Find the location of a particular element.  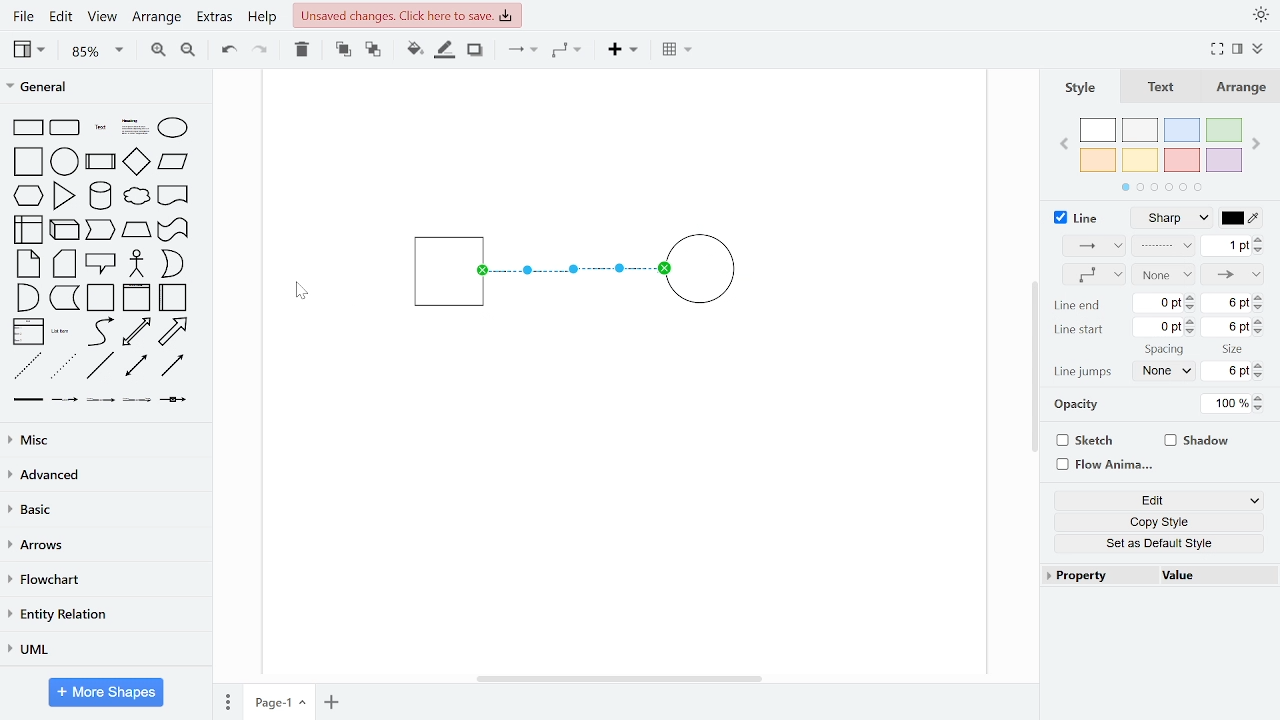

previous is located at coordinates (1066, 146).